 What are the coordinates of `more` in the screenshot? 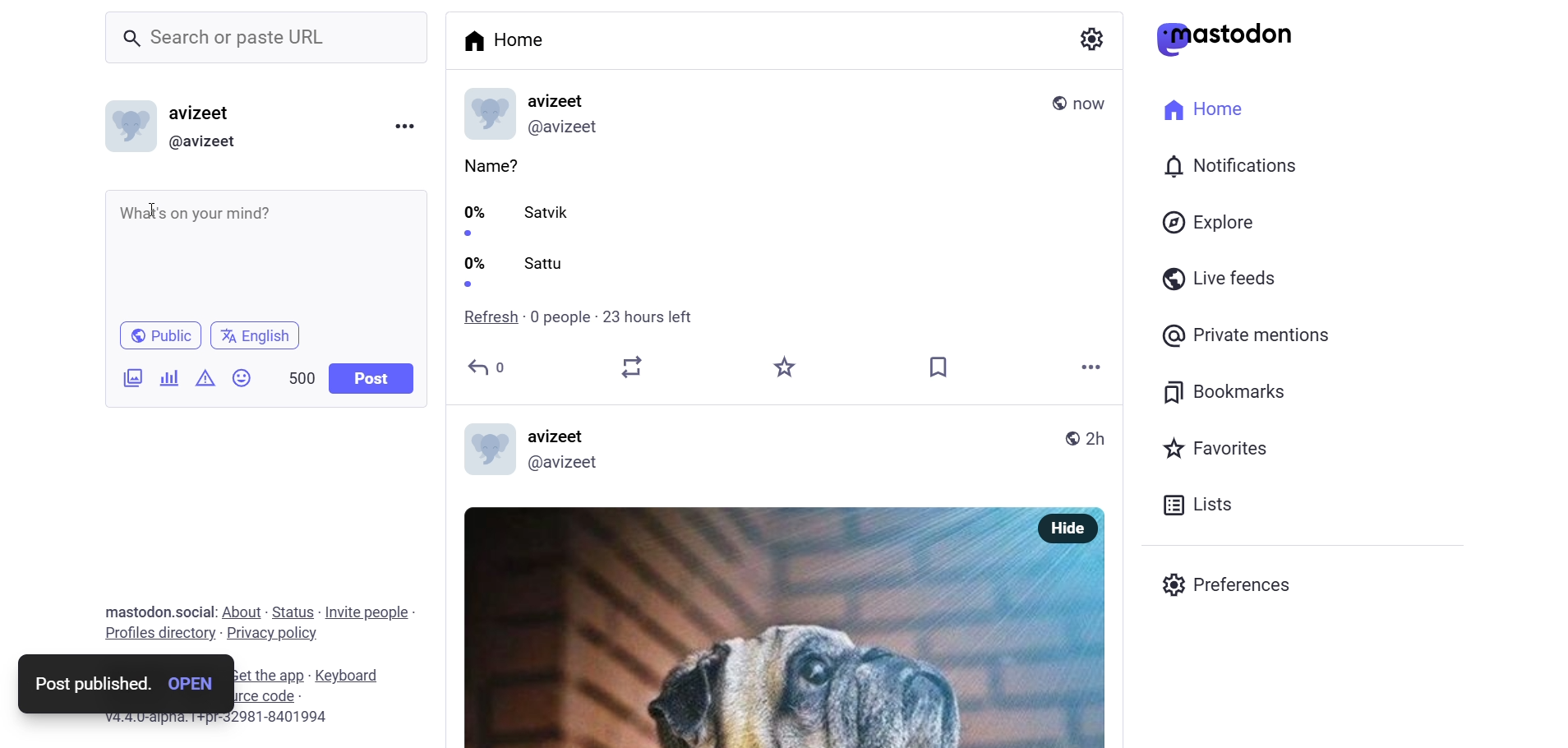 It's located at (1089, 368).